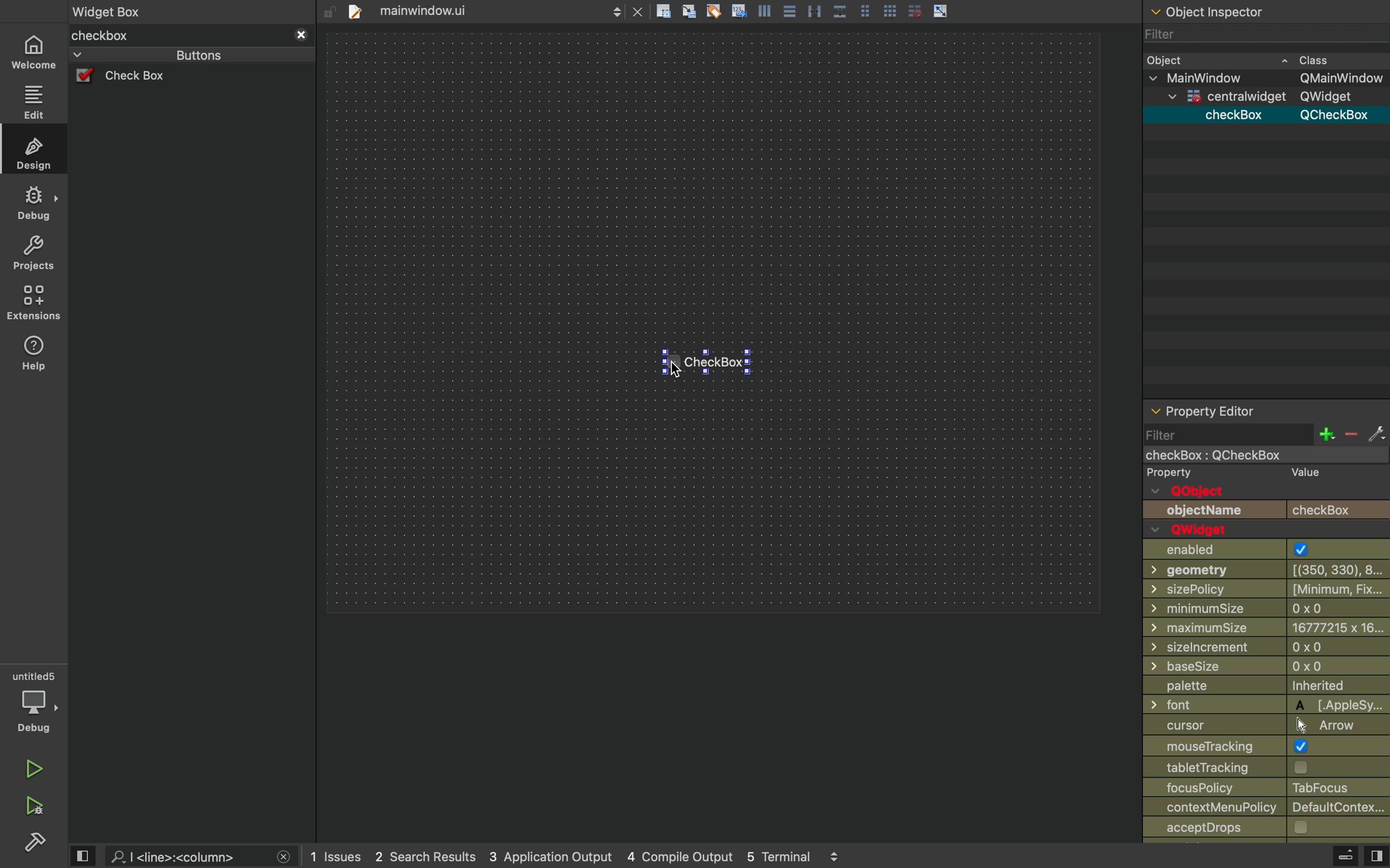 This screenshot has height=868, width=1390. Describe the element at coordinates (34, 702) in the screenshot. I see `debug` at that location.